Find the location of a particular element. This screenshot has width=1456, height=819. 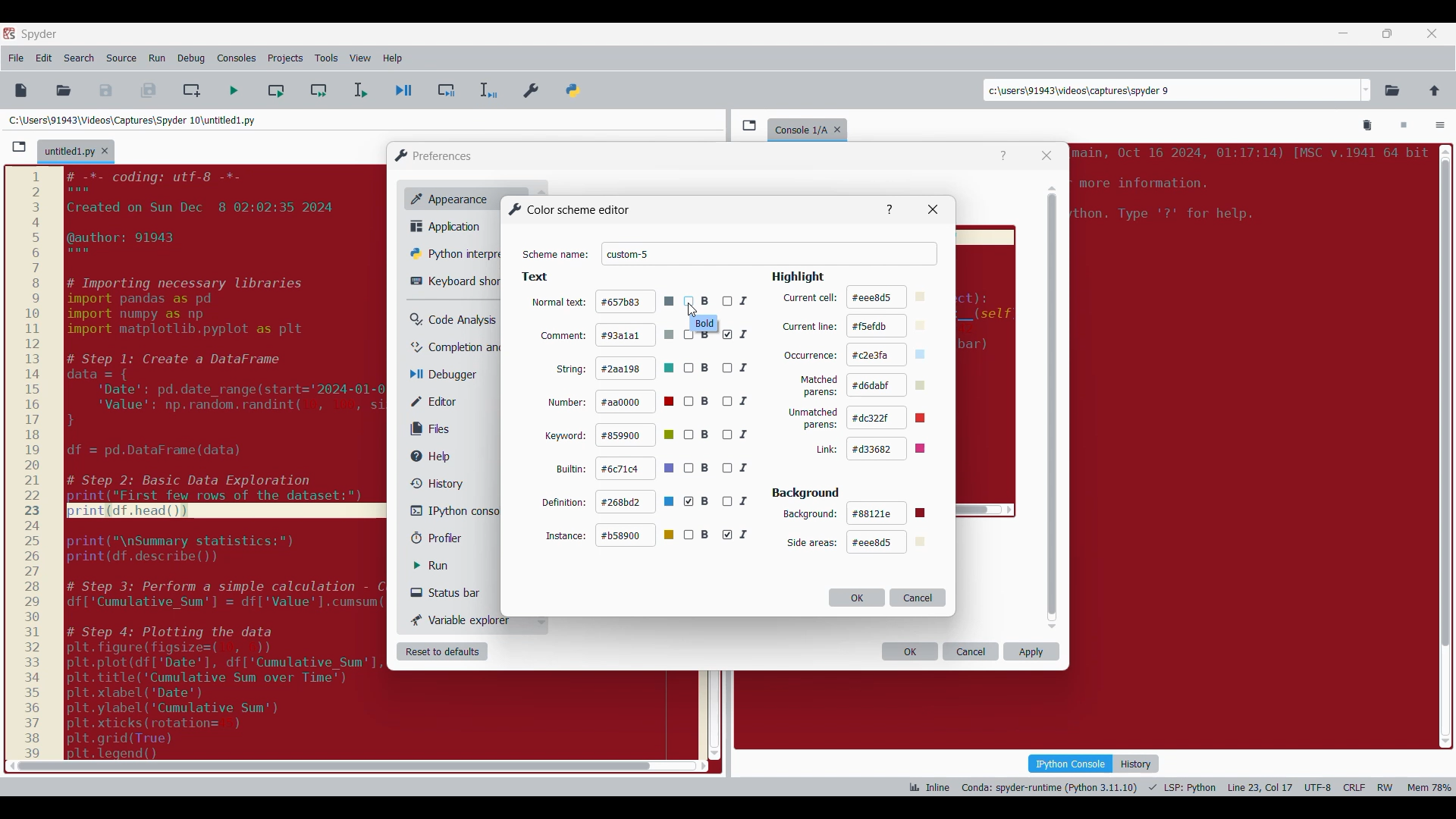

B is located at coordinates (698, 302).